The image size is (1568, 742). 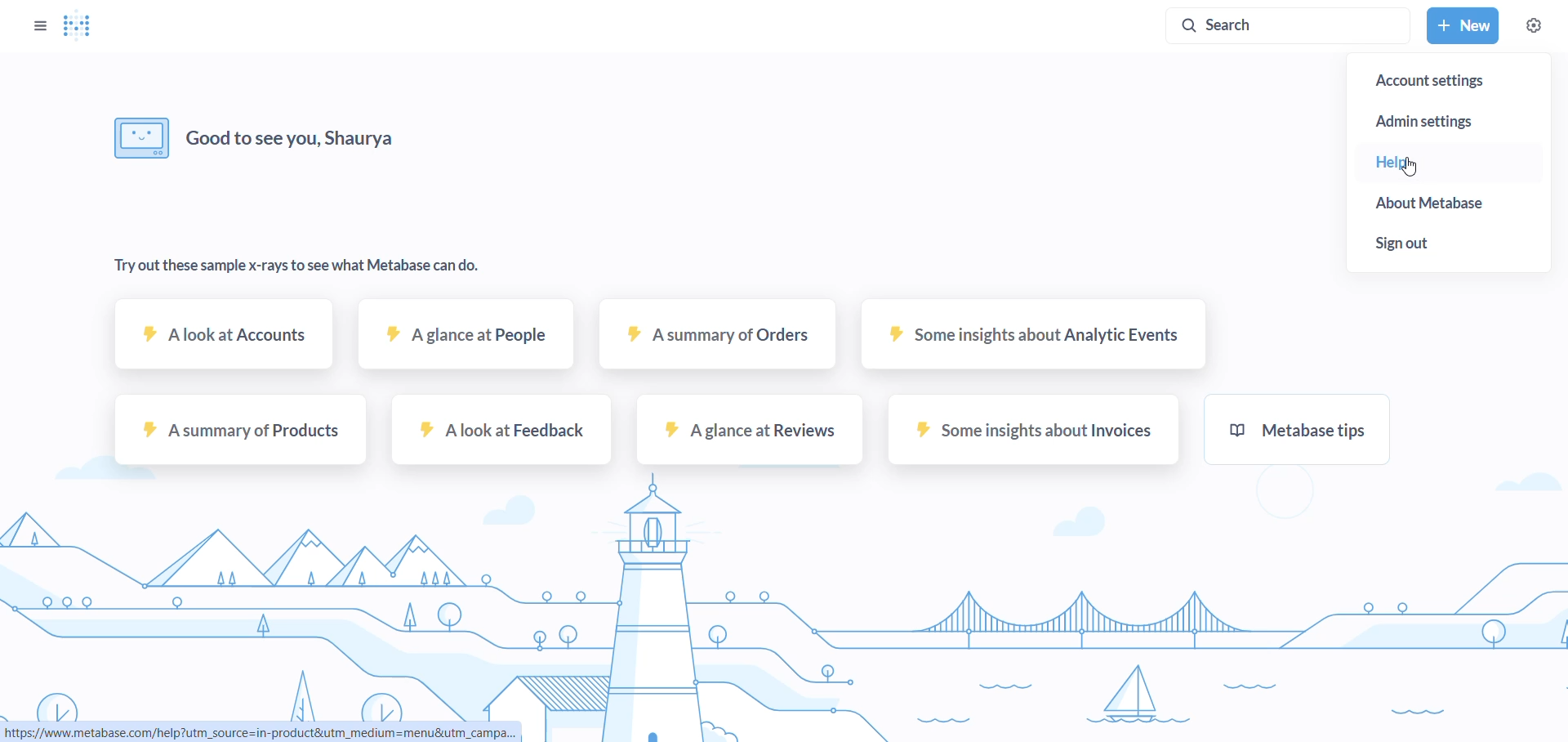 I want to click on About metabase, so click(x=1453, y=204).